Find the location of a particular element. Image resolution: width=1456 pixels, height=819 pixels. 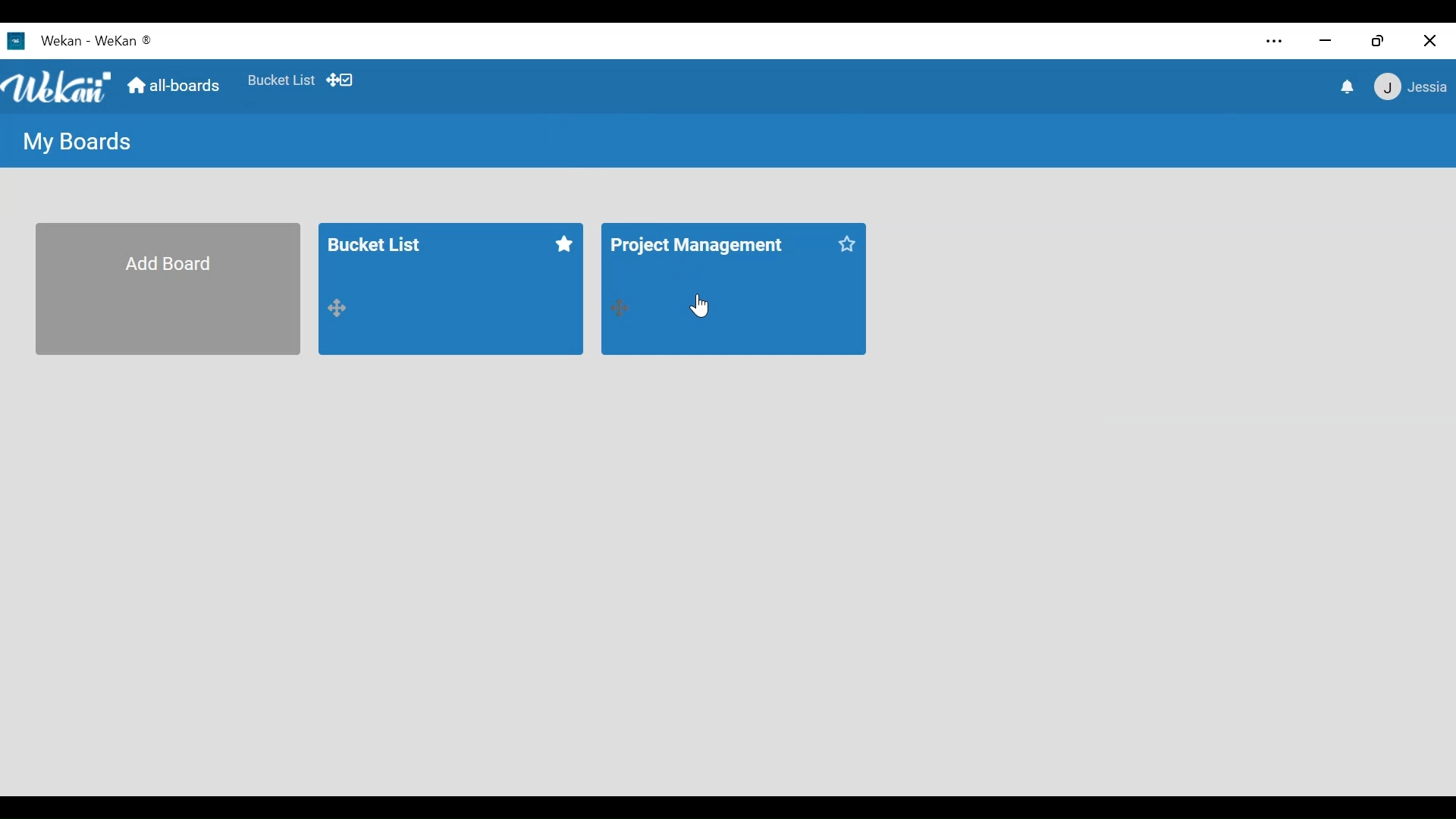

Wekan Desktop Icon is located at coordinates (84, 42).